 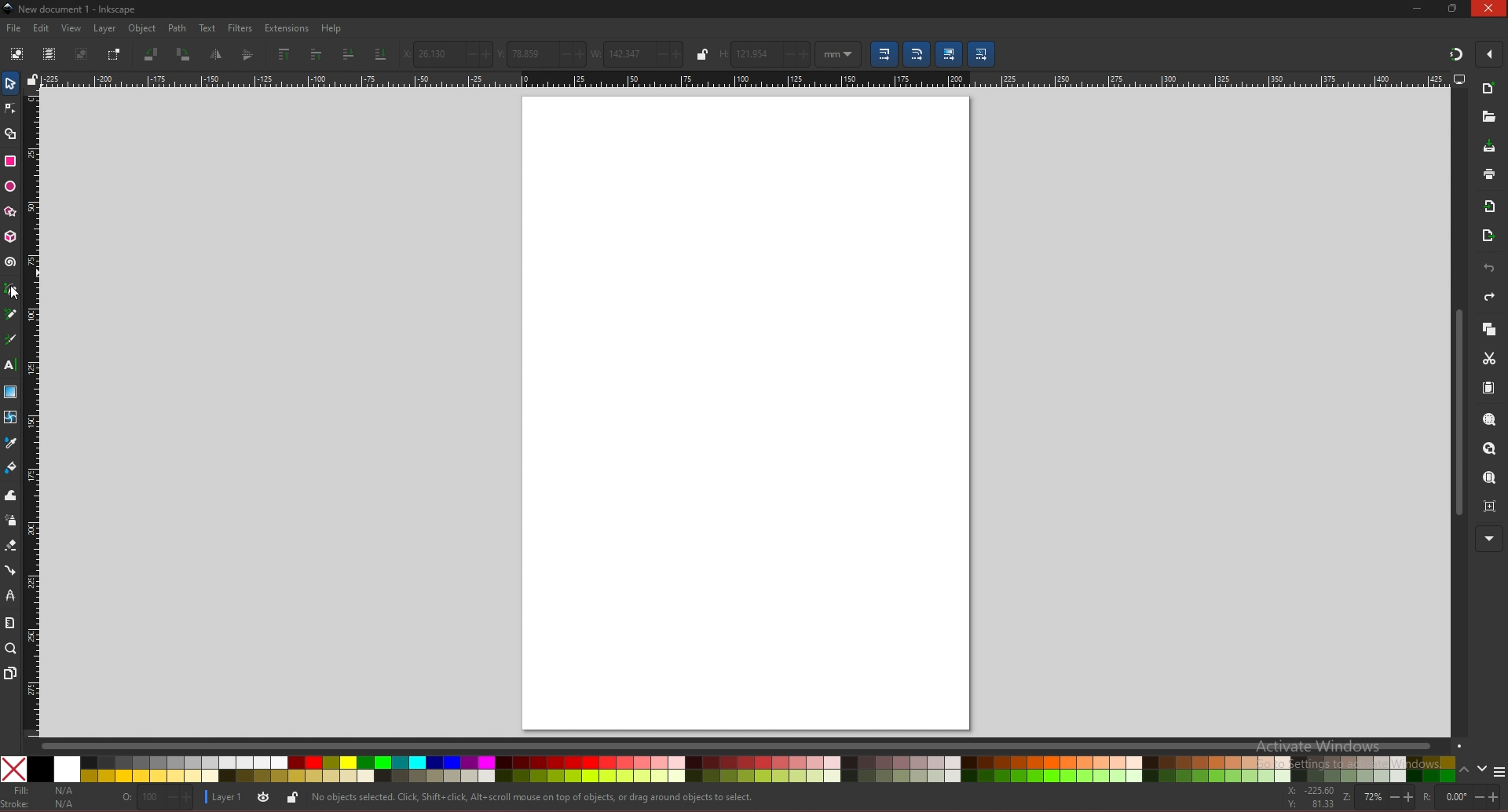 I want to click on cut, so click(x=1489, y=359).